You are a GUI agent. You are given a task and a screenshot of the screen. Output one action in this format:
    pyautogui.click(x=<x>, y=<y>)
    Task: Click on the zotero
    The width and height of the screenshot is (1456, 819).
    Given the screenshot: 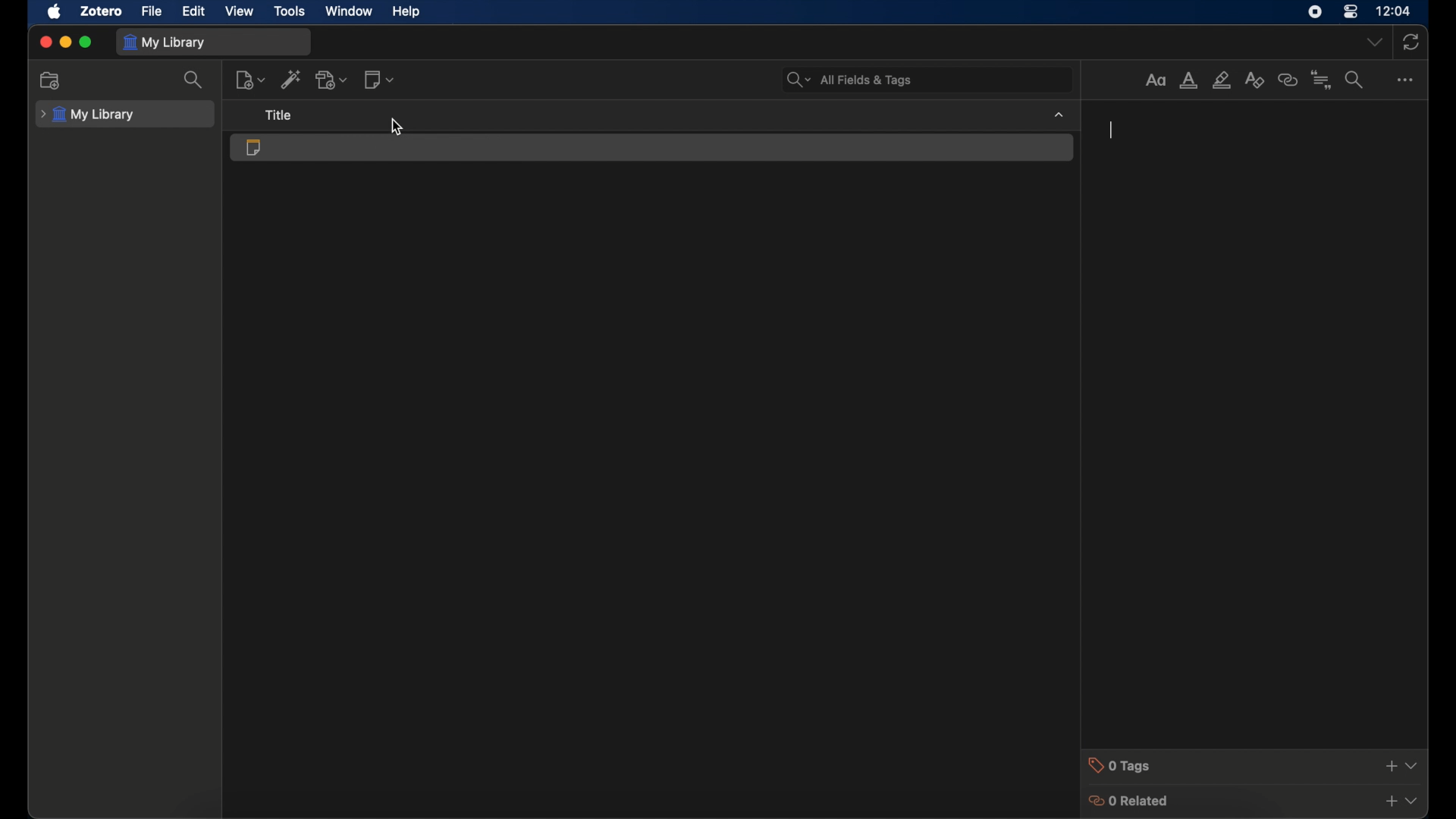 What is the action you would take?
    pyautogui.click(x=101, y=11)
    